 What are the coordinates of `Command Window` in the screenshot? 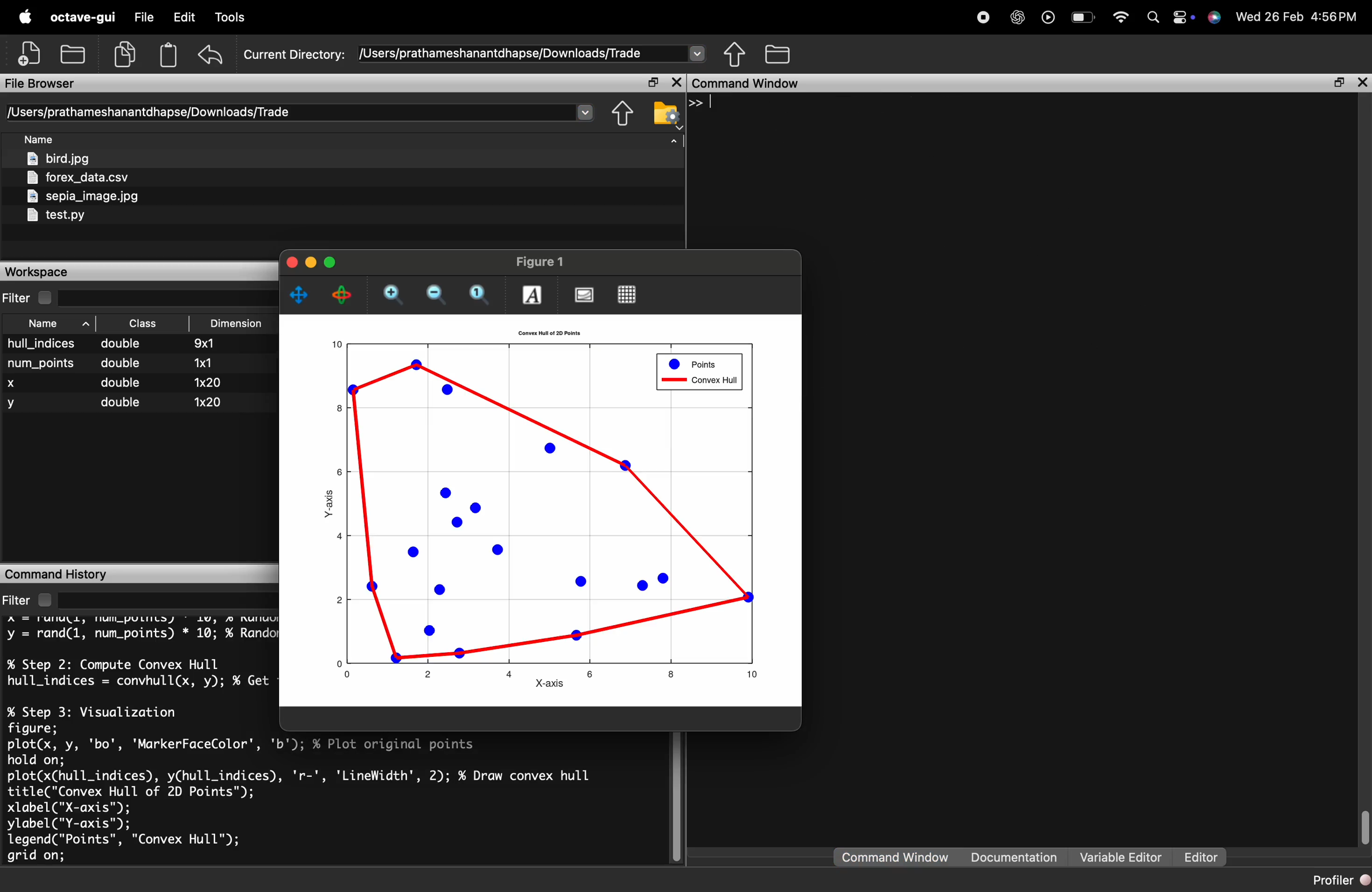 It's located at (896, 856).